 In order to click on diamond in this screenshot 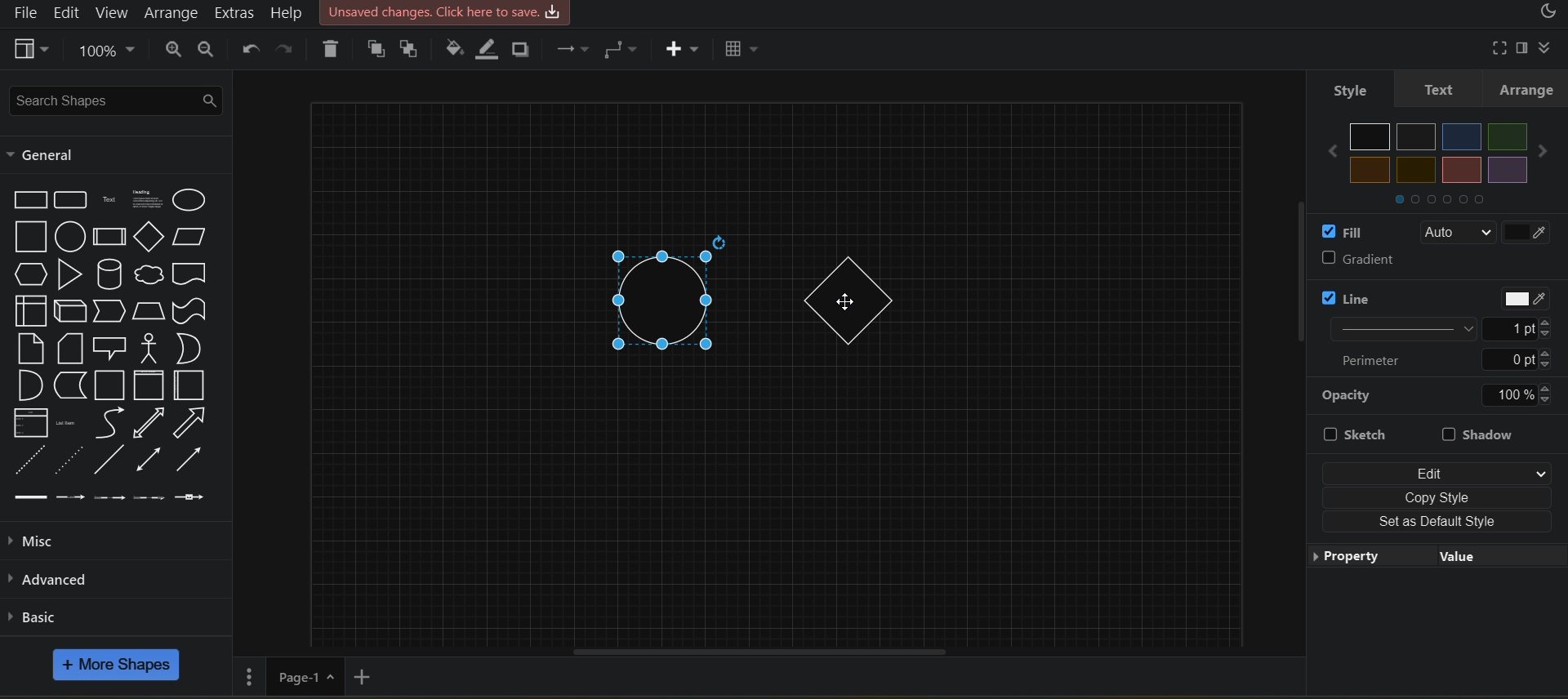, I will do `click(844, 301)`.